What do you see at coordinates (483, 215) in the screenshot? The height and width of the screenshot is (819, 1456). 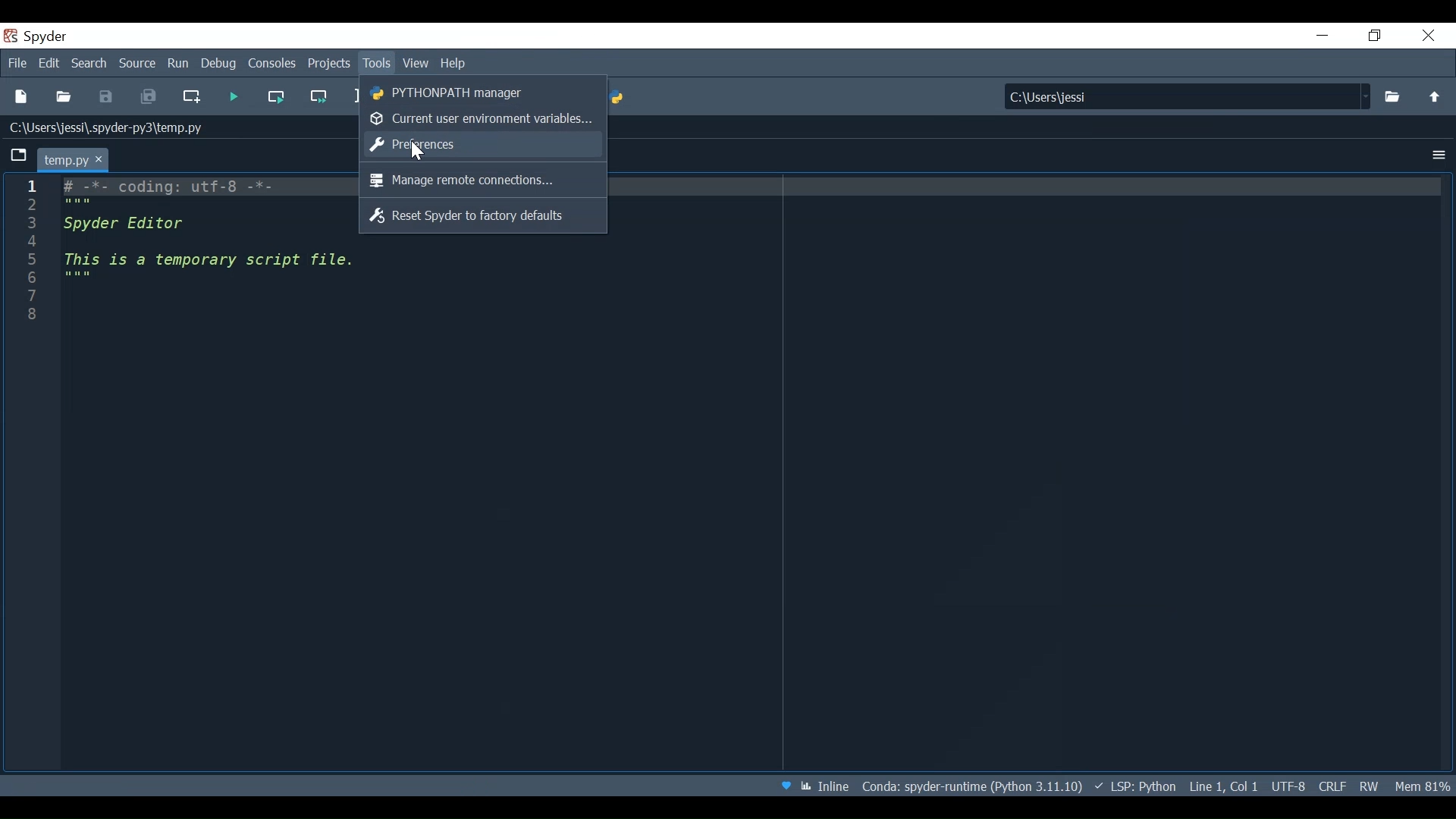 I see `Reset Spyder to factory defaults` at bounding box center [483, 215].